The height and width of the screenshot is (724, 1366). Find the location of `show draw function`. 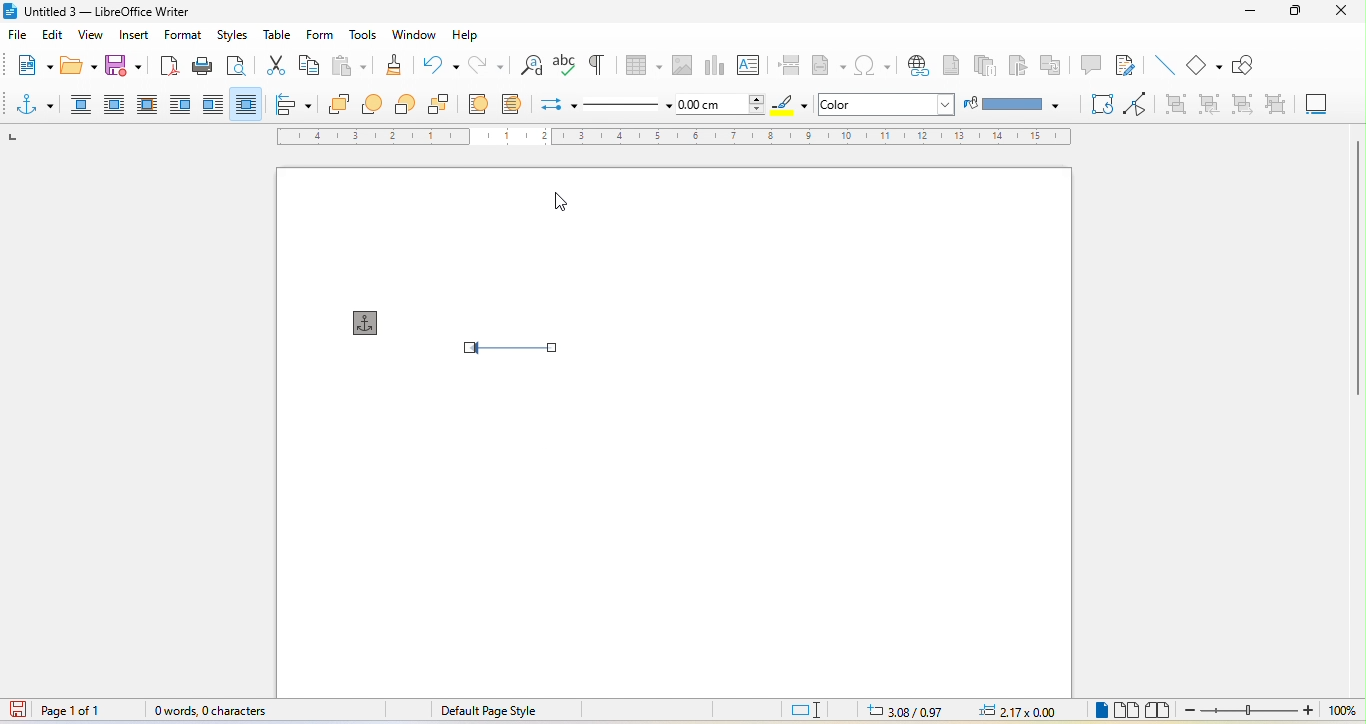

show draw function is located at coordinates (1247, 65).